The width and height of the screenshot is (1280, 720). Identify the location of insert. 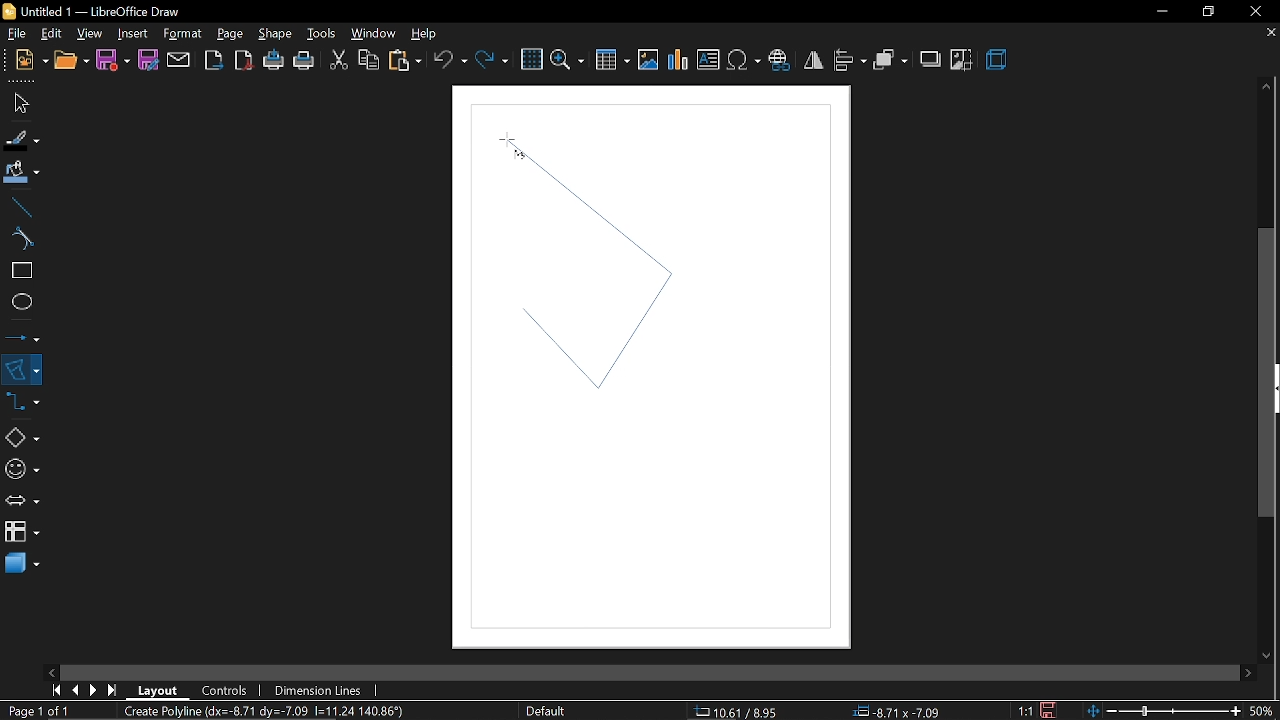
(132, 33).